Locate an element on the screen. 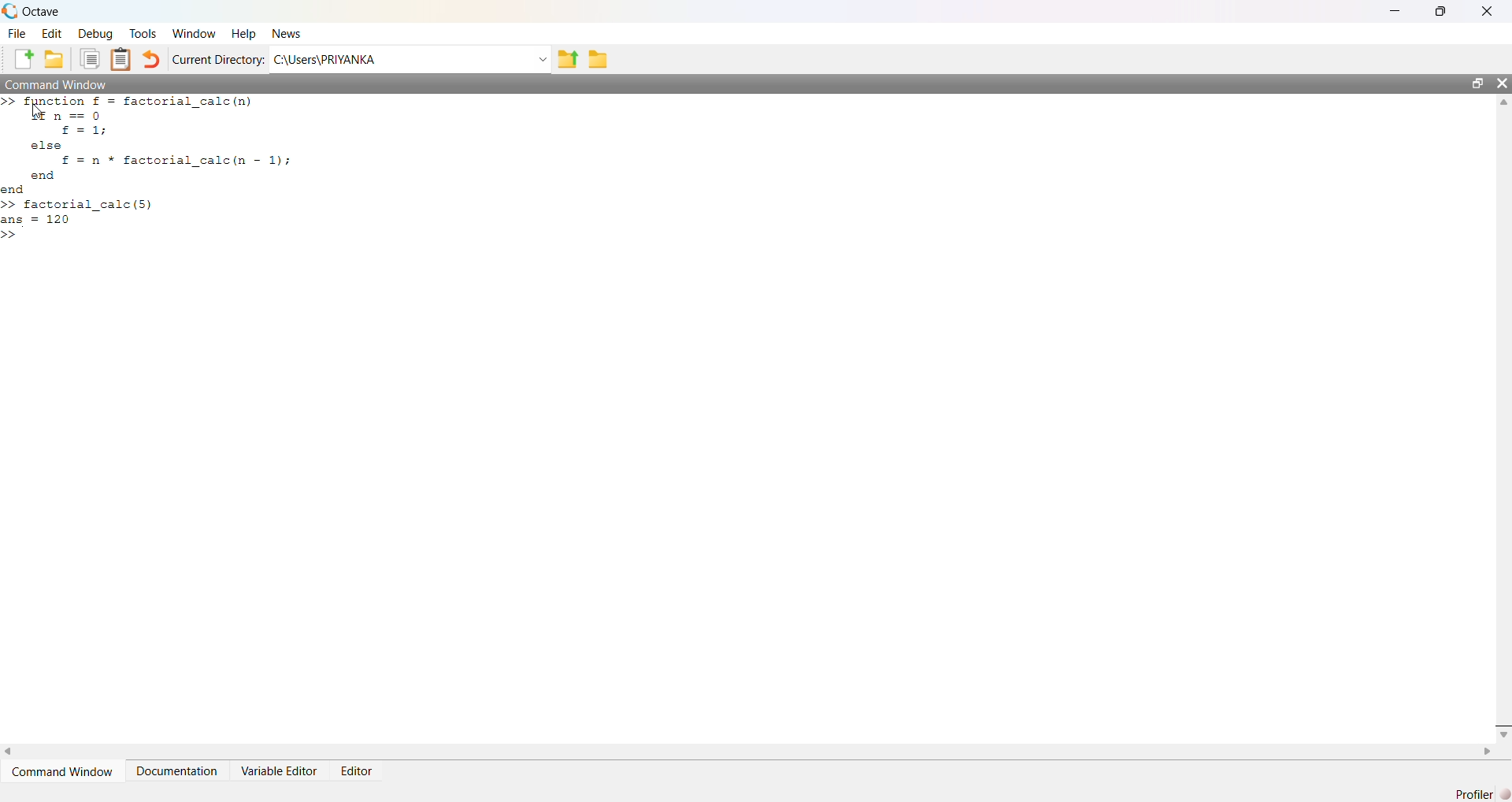  Command window is located at coordinates (56, 84).